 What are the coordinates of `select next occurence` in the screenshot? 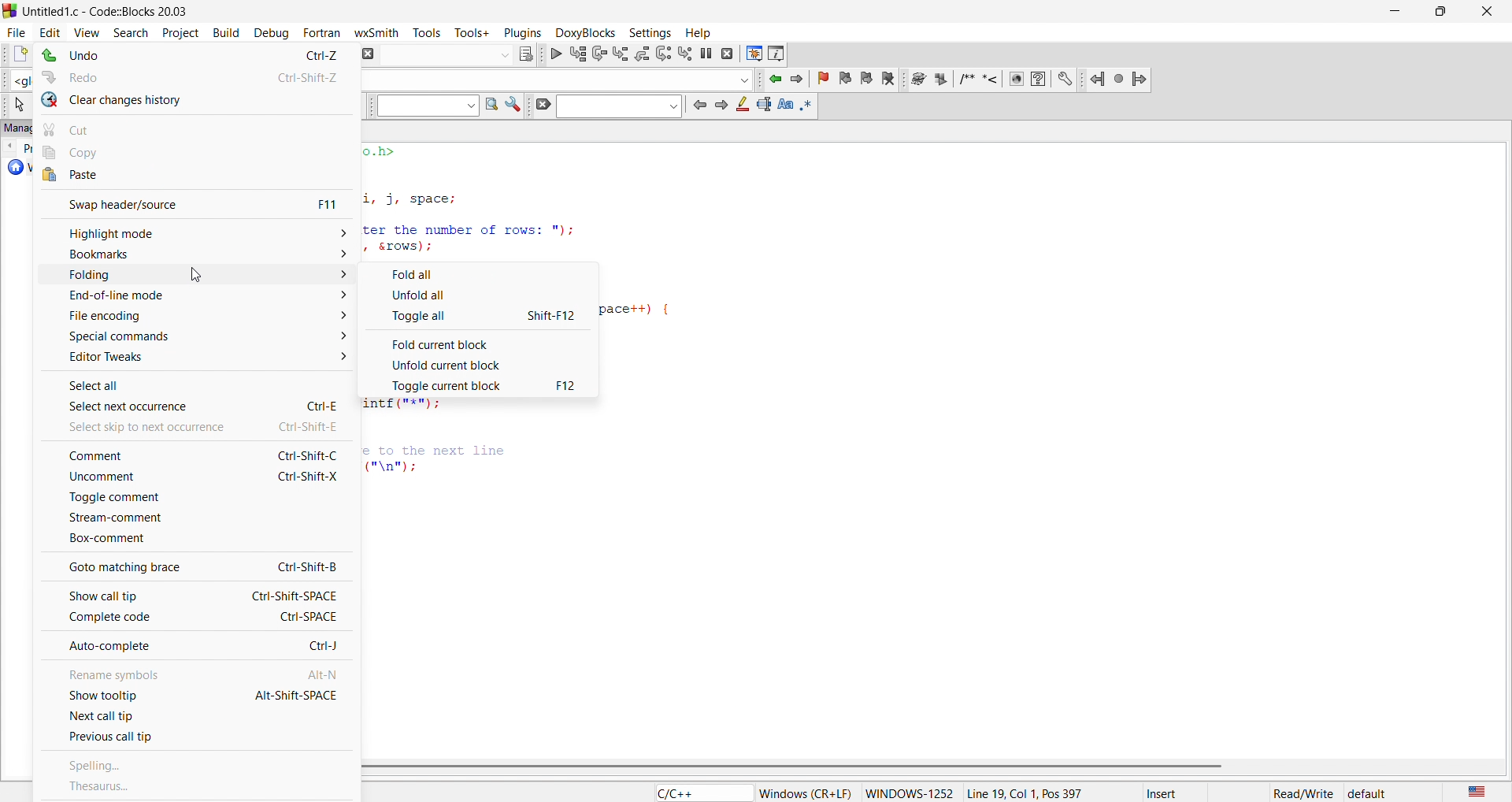 It's located at (195, 406).